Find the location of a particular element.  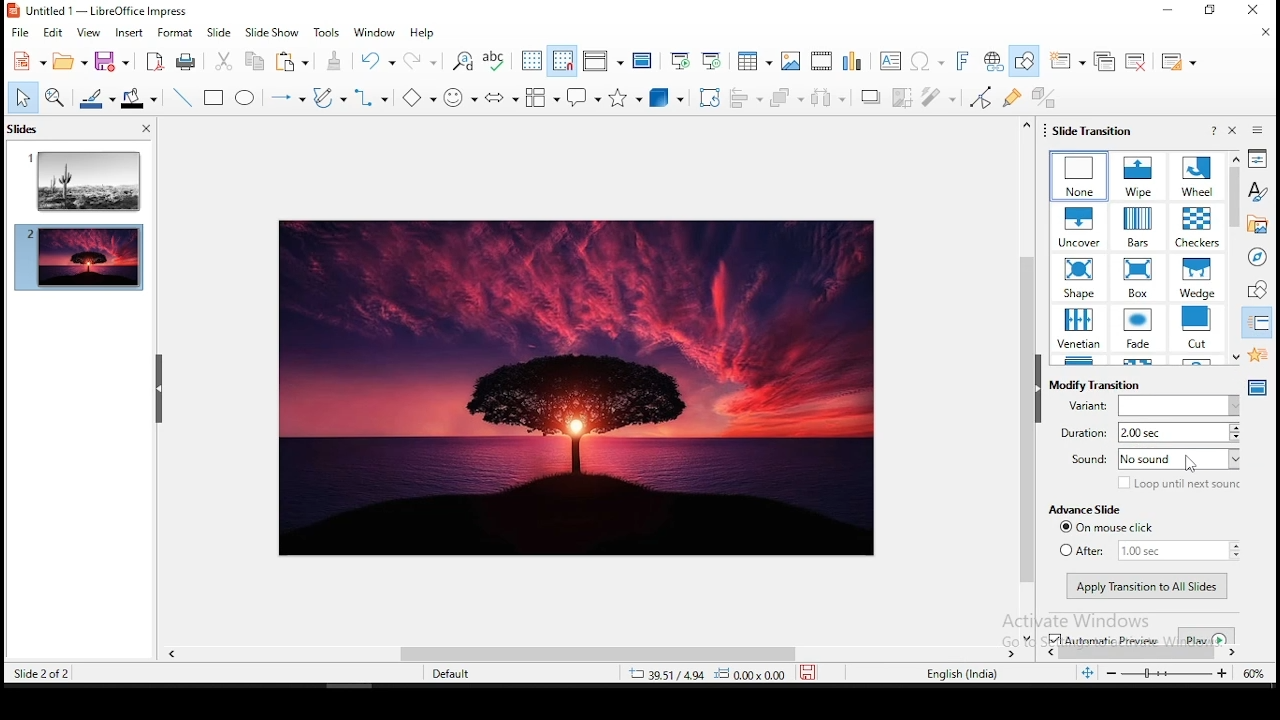

arrange is located at coordinates (788, 97).